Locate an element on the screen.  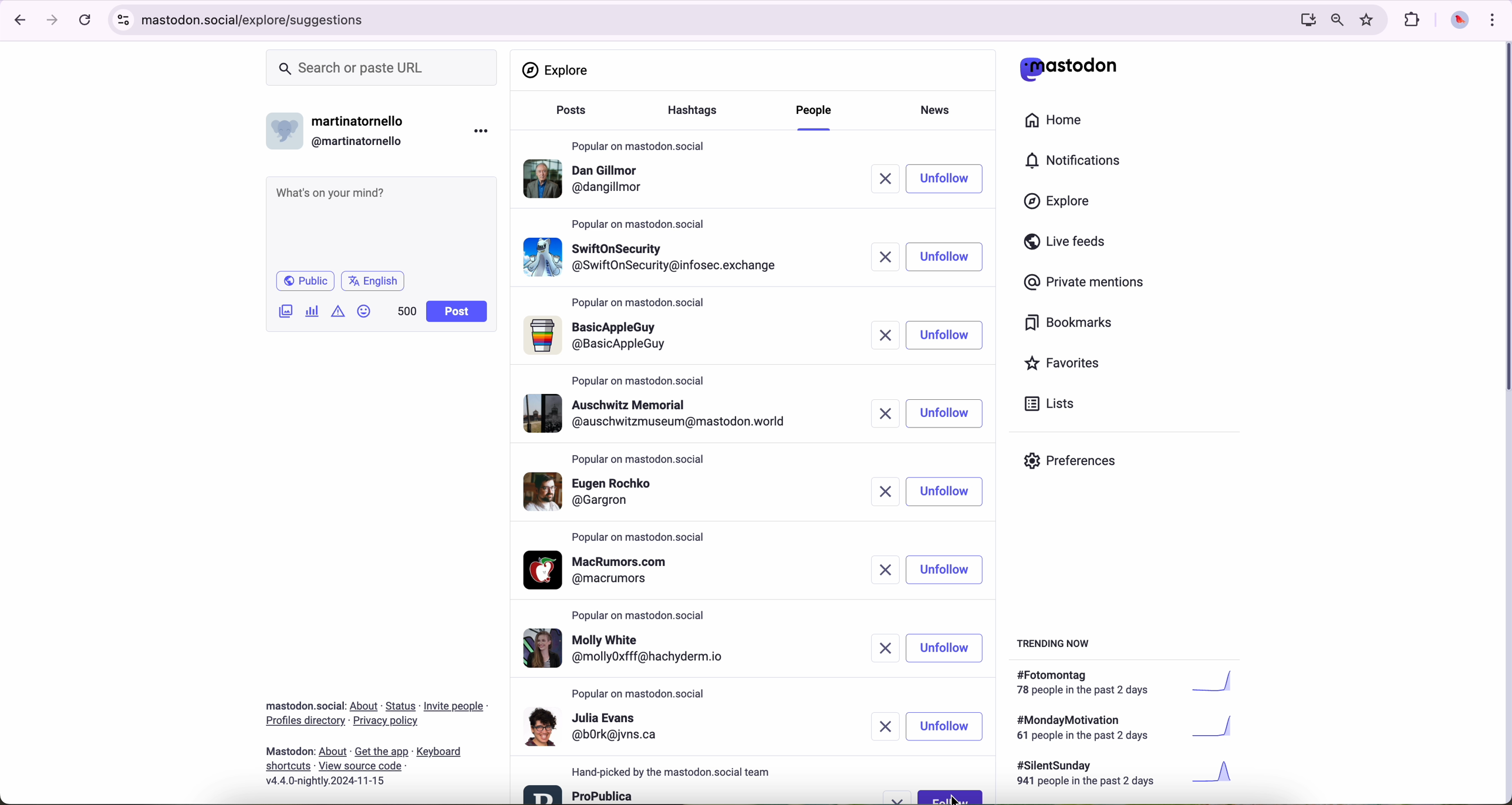
remove is located at coordinates (885, 649).